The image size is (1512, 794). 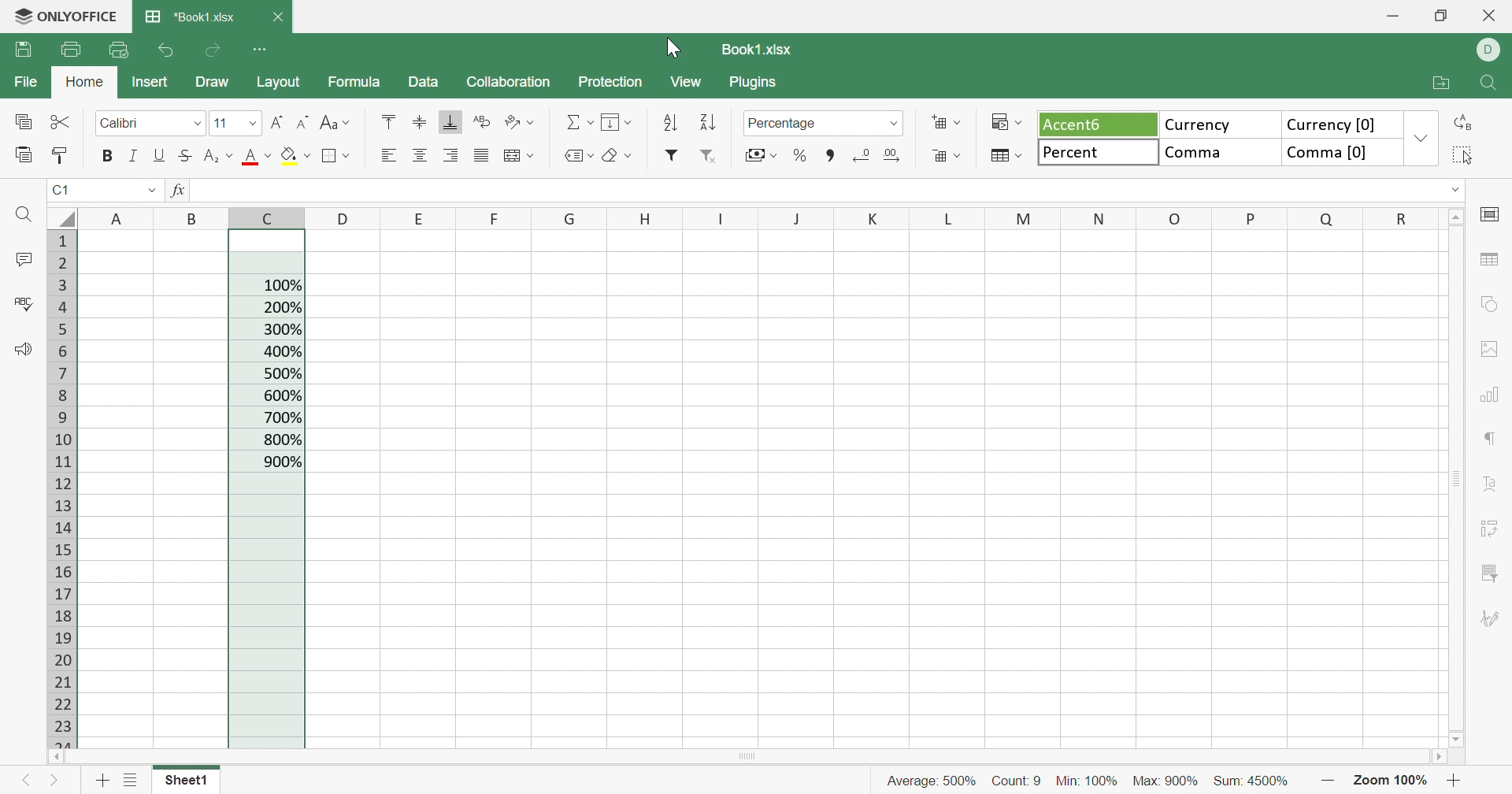 What do you see at coordinates (784, 123) in the screenshot?
I see `Percentage` at bounding box center [784, 123].